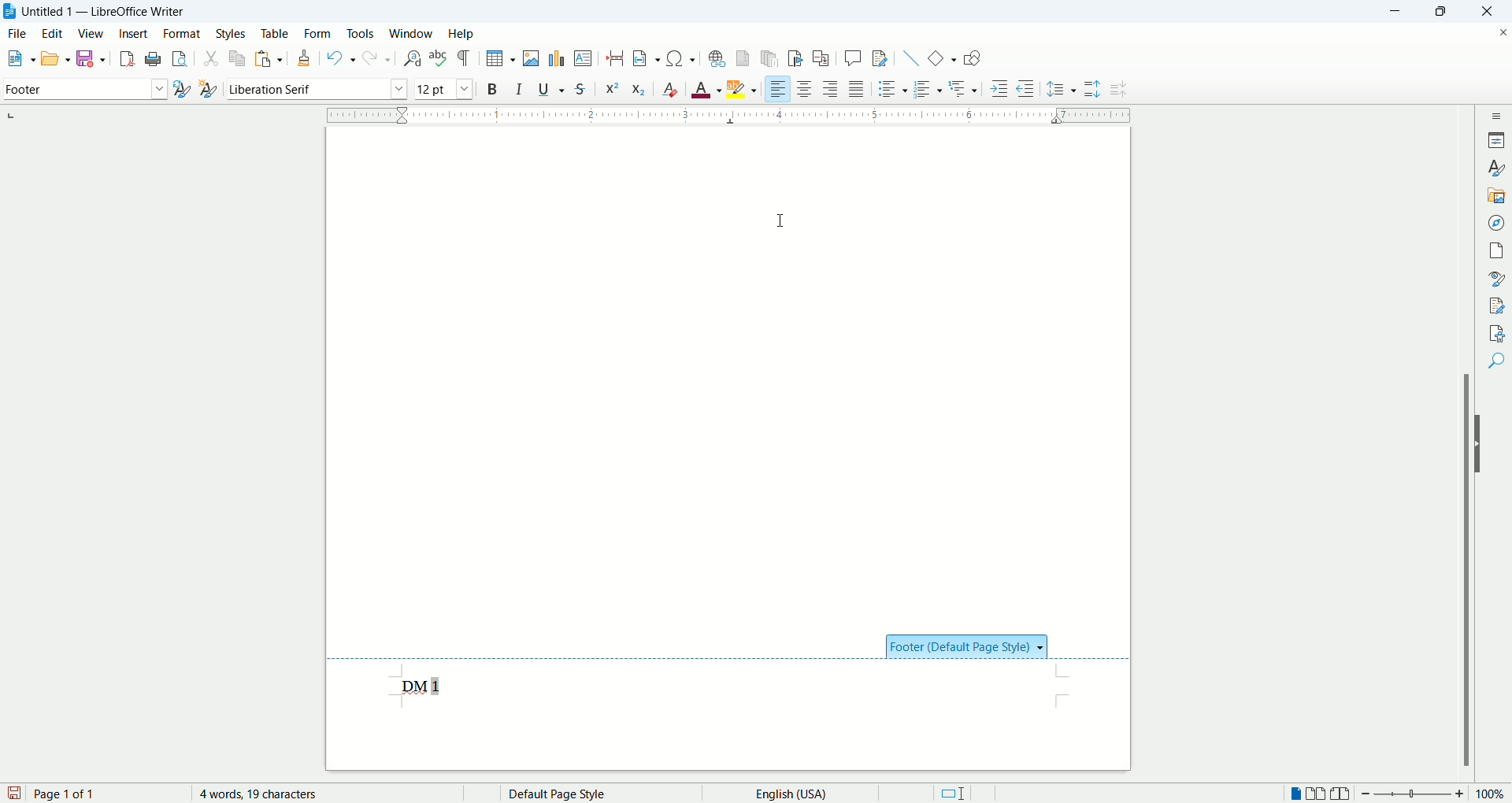 The height and width of the screenshot is (803, 1512). I want to click on align left, so click(779, 90).